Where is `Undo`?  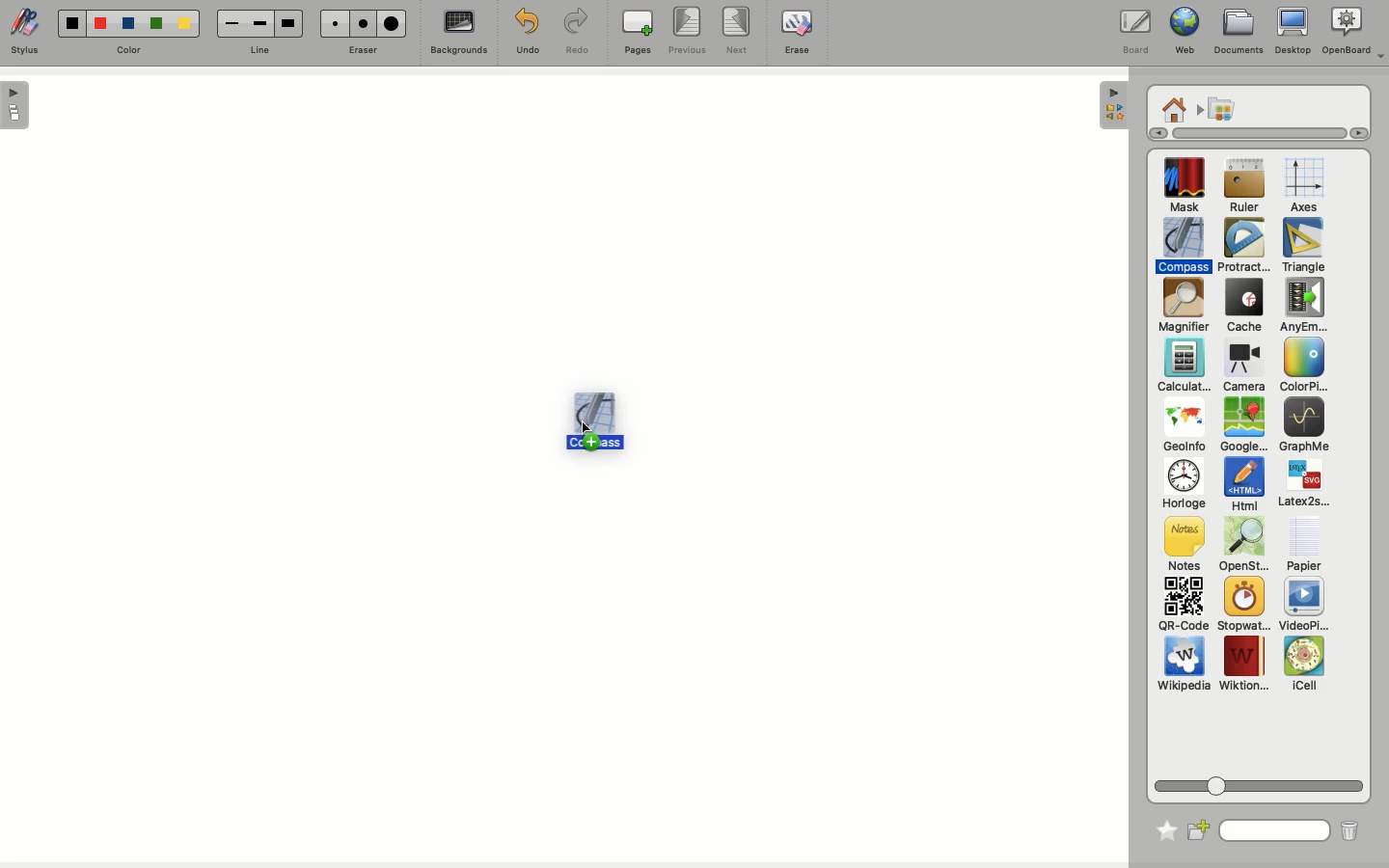
Undo is located at coordinates (525, 31).